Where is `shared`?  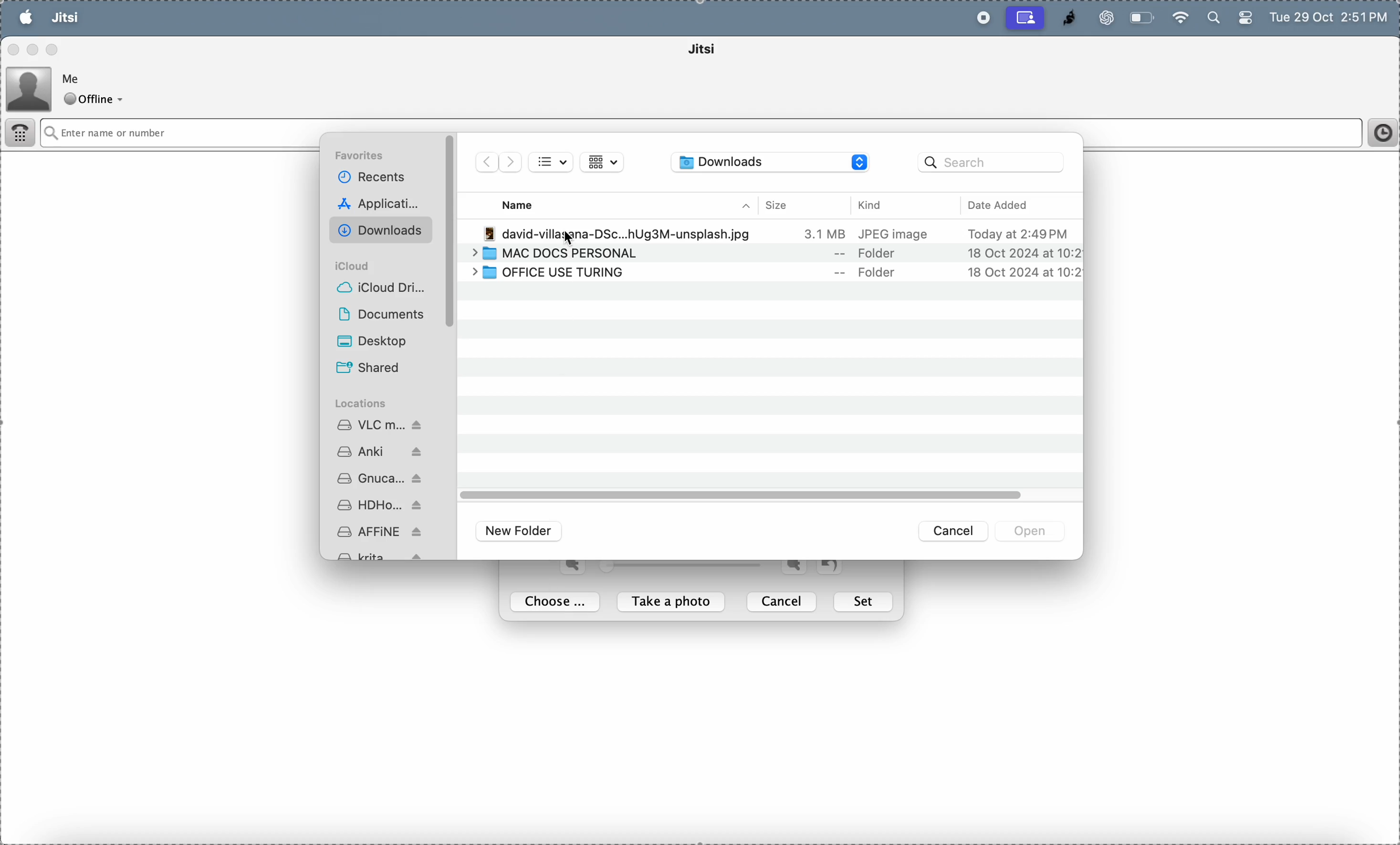 shared is located at coordinates (385, 366).